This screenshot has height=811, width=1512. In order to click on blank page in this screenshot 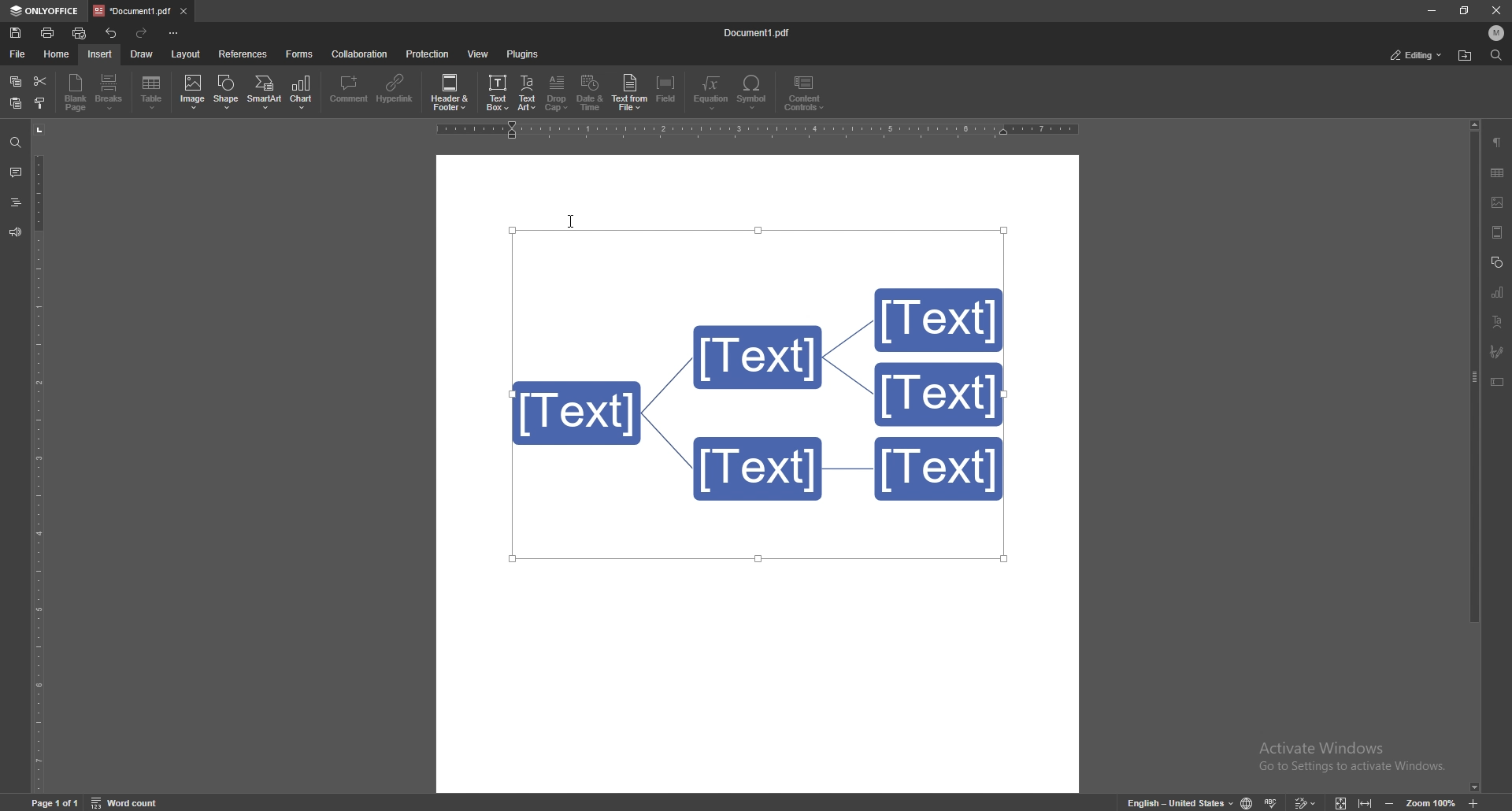, I will do `click(76, 92)`.